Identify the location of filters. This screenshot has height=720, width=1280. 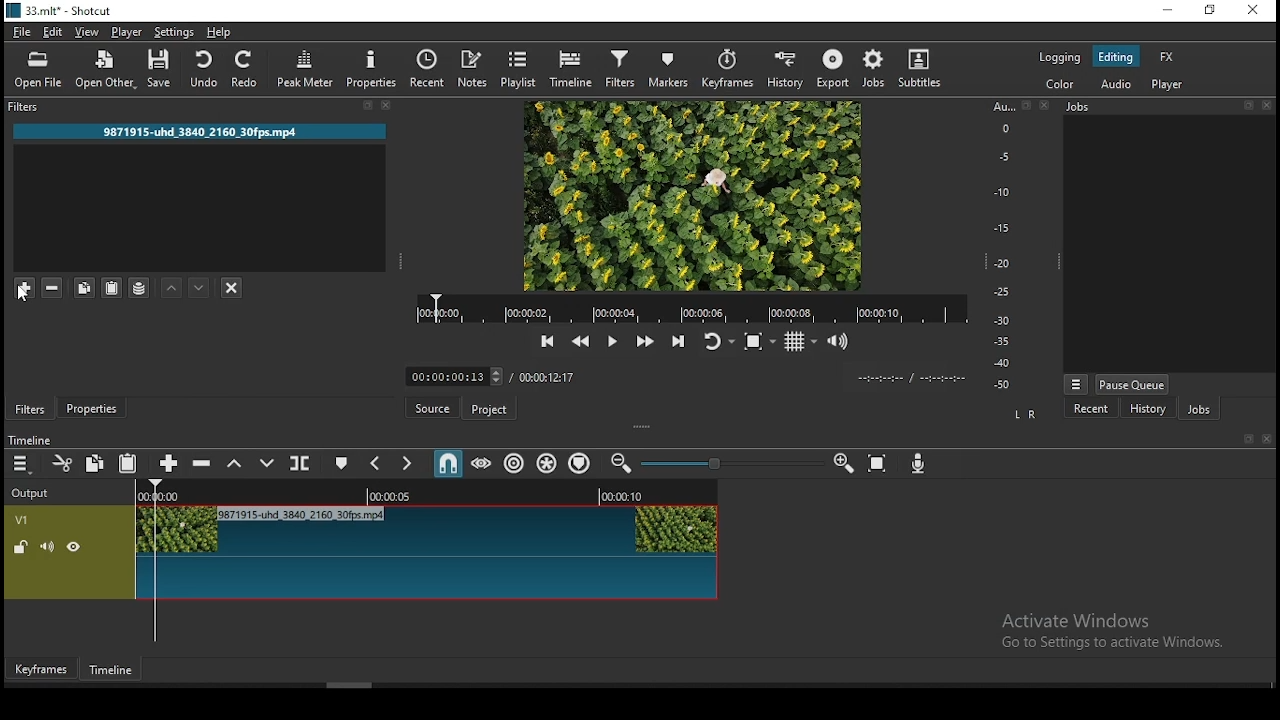
(20, 108).